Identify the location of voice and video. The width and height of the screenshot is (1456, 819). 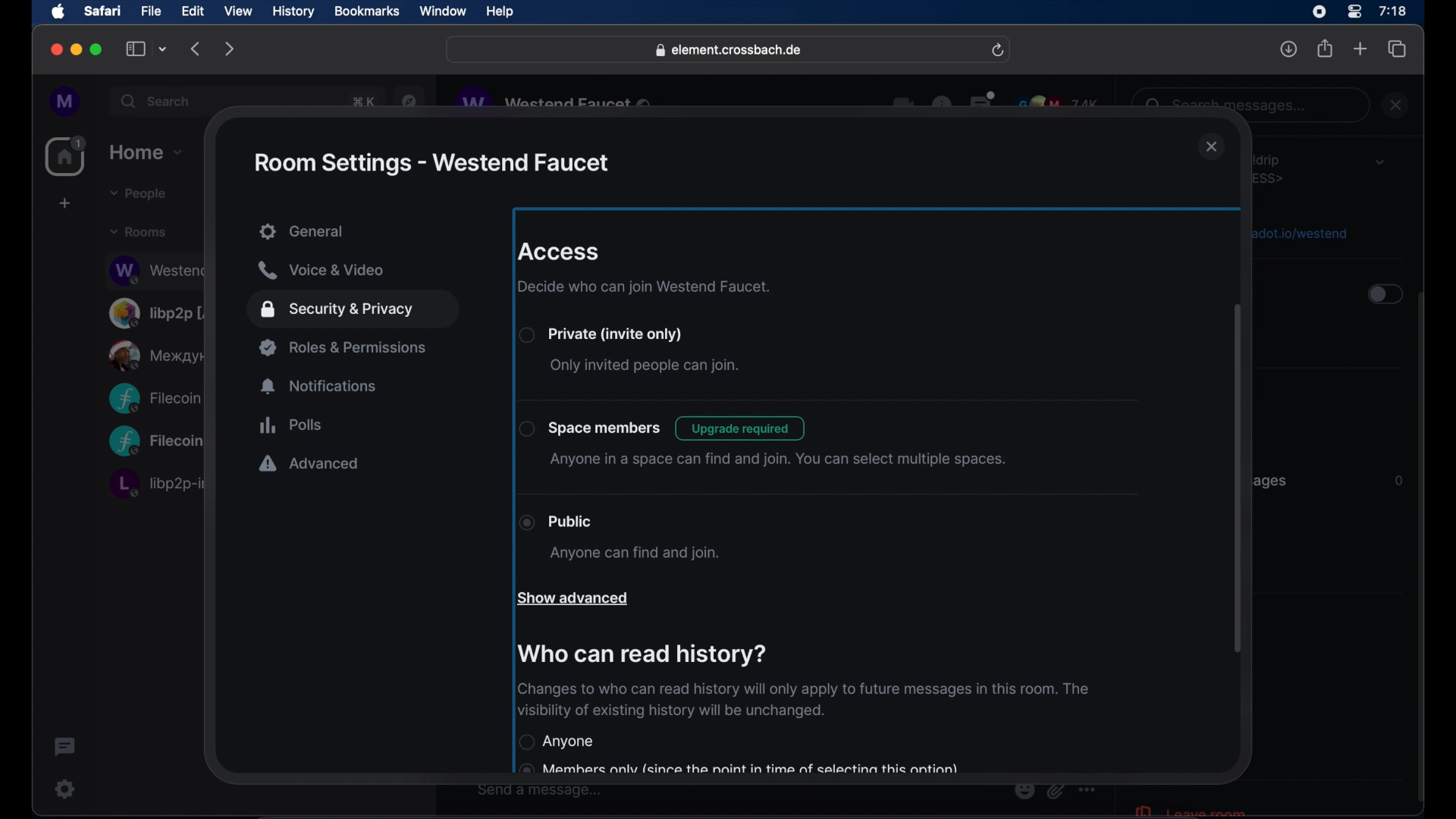
(321, 271).